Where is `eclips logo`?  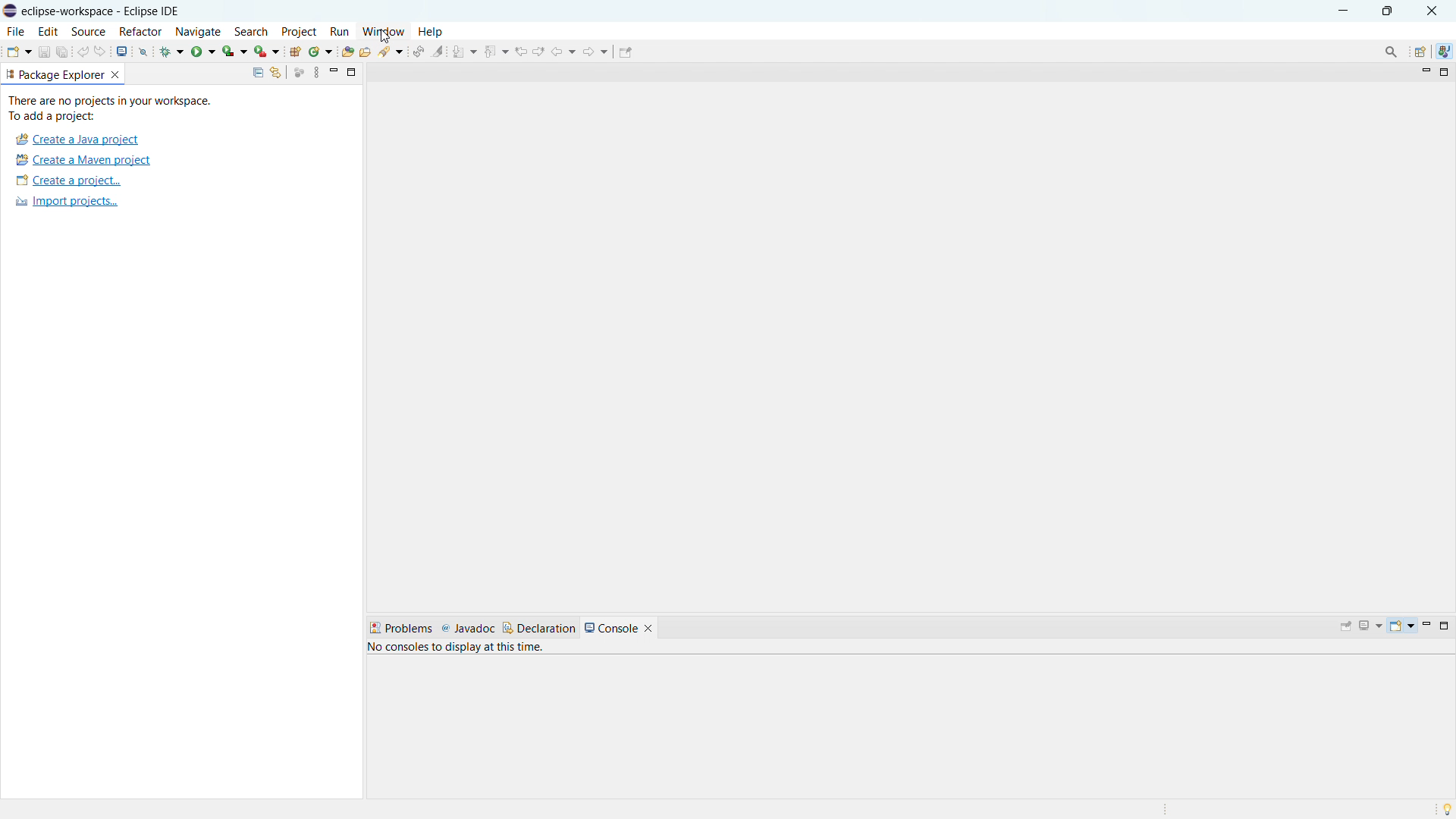
eclips logo is located at coordinates (10, 11).